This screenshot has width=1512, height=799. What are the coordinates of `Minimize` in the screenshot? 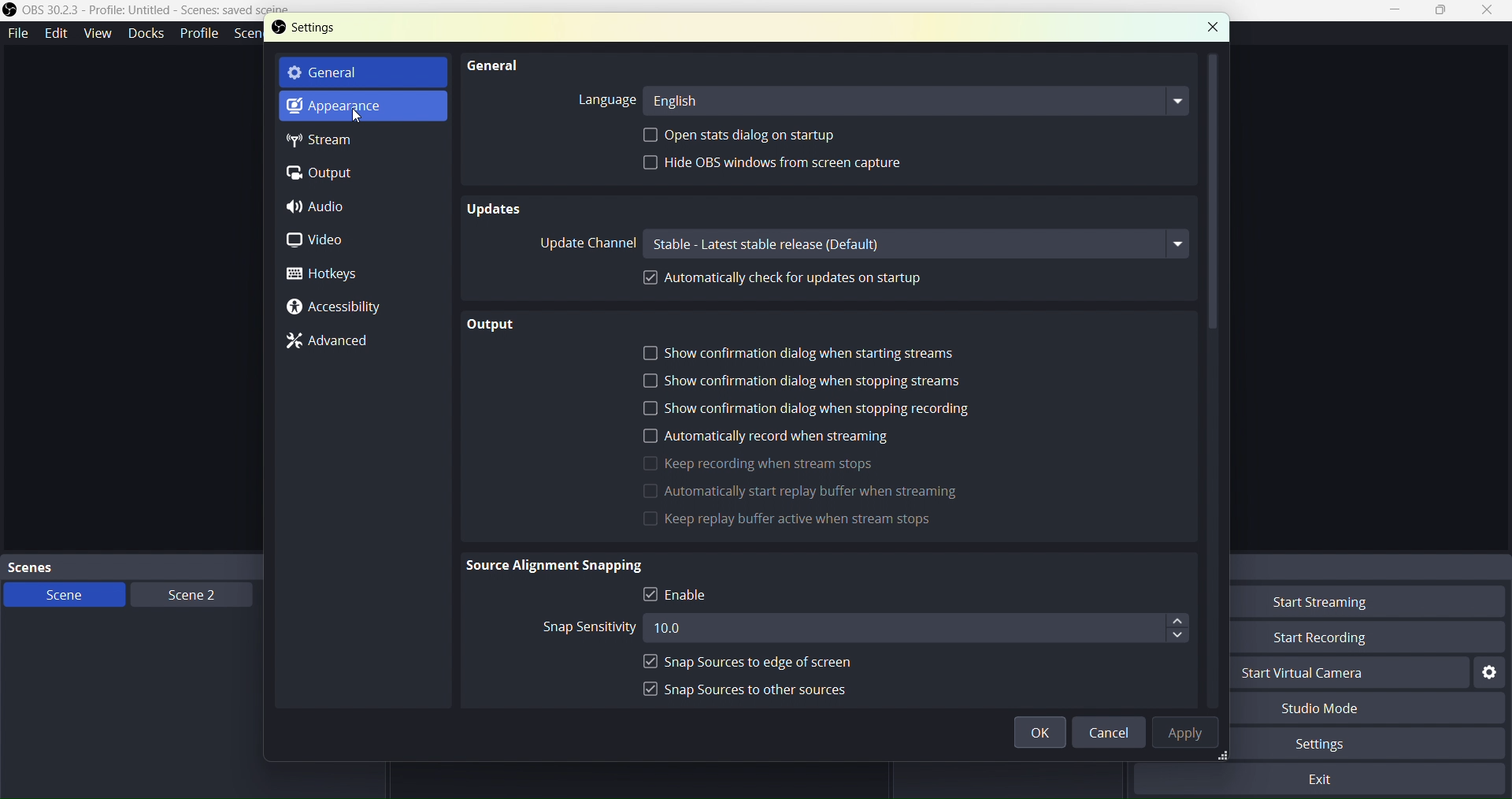 It's located at (1400, 10).